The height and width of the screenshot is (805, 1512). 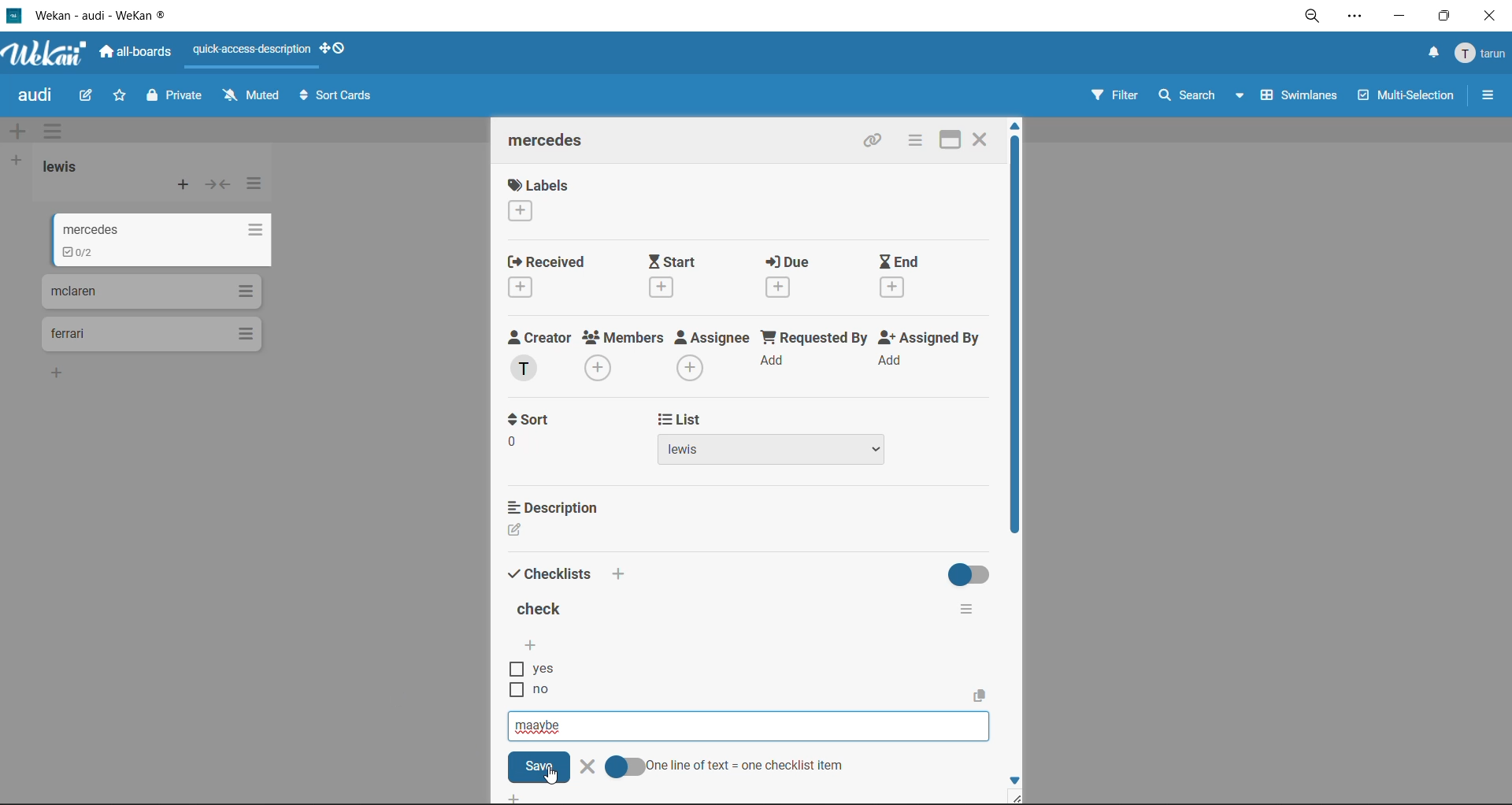 I want to click on multiselection, so click(x=1406, y=98).